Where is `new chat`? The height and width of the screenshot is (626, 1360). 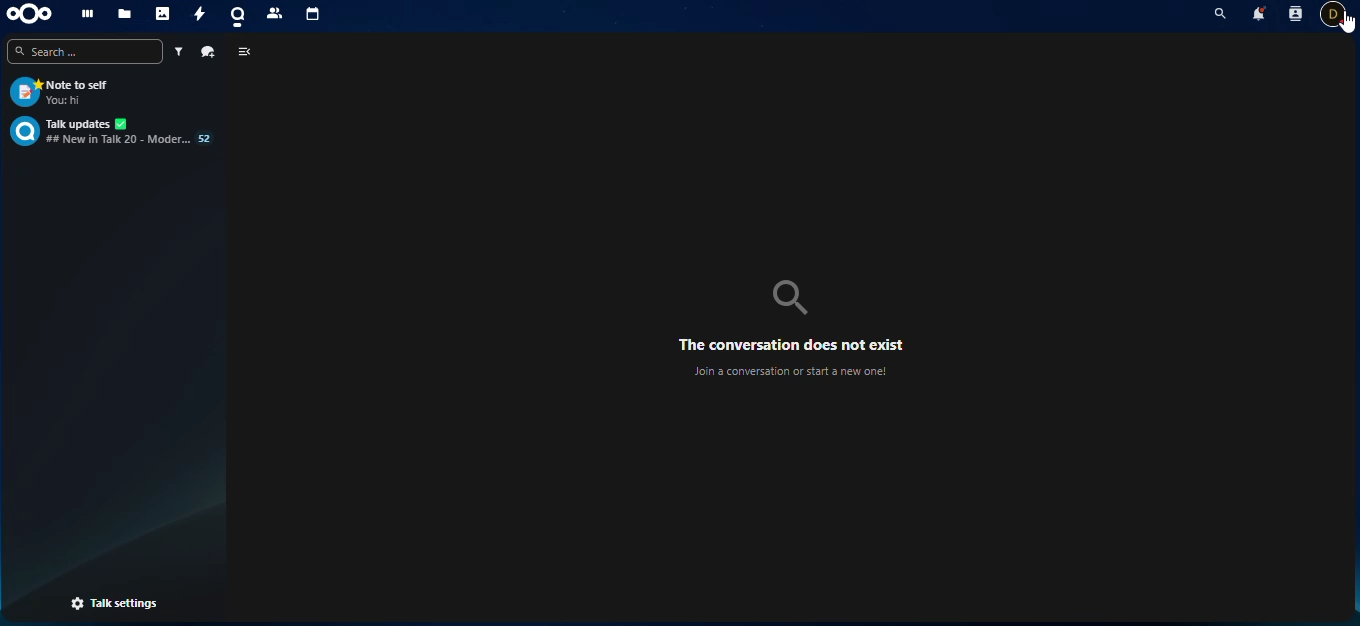 new chat is located at coordinates (208, 52).